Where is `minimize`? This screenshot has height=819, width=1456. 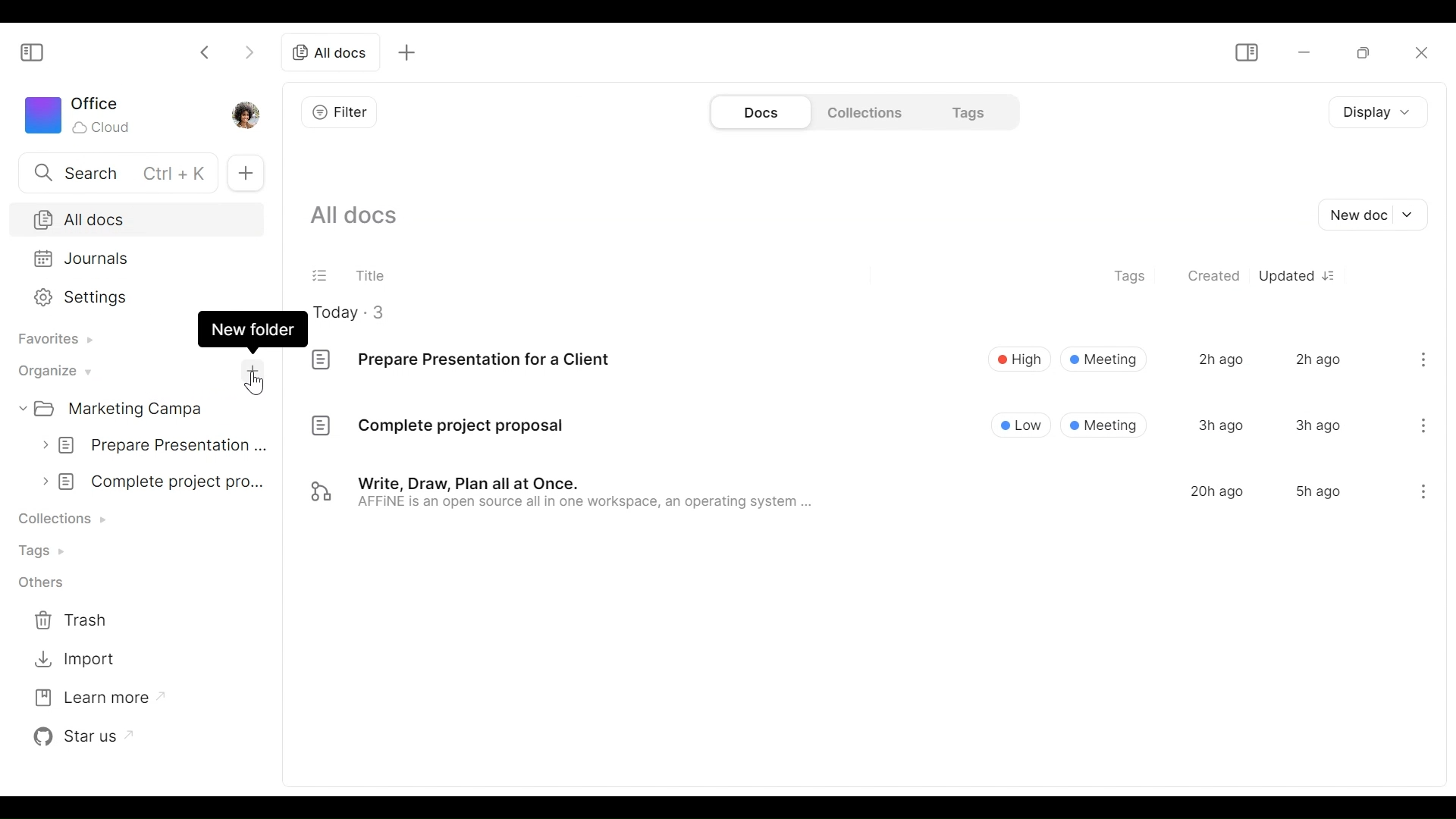 minimize is located at coordinates (1302, 52).